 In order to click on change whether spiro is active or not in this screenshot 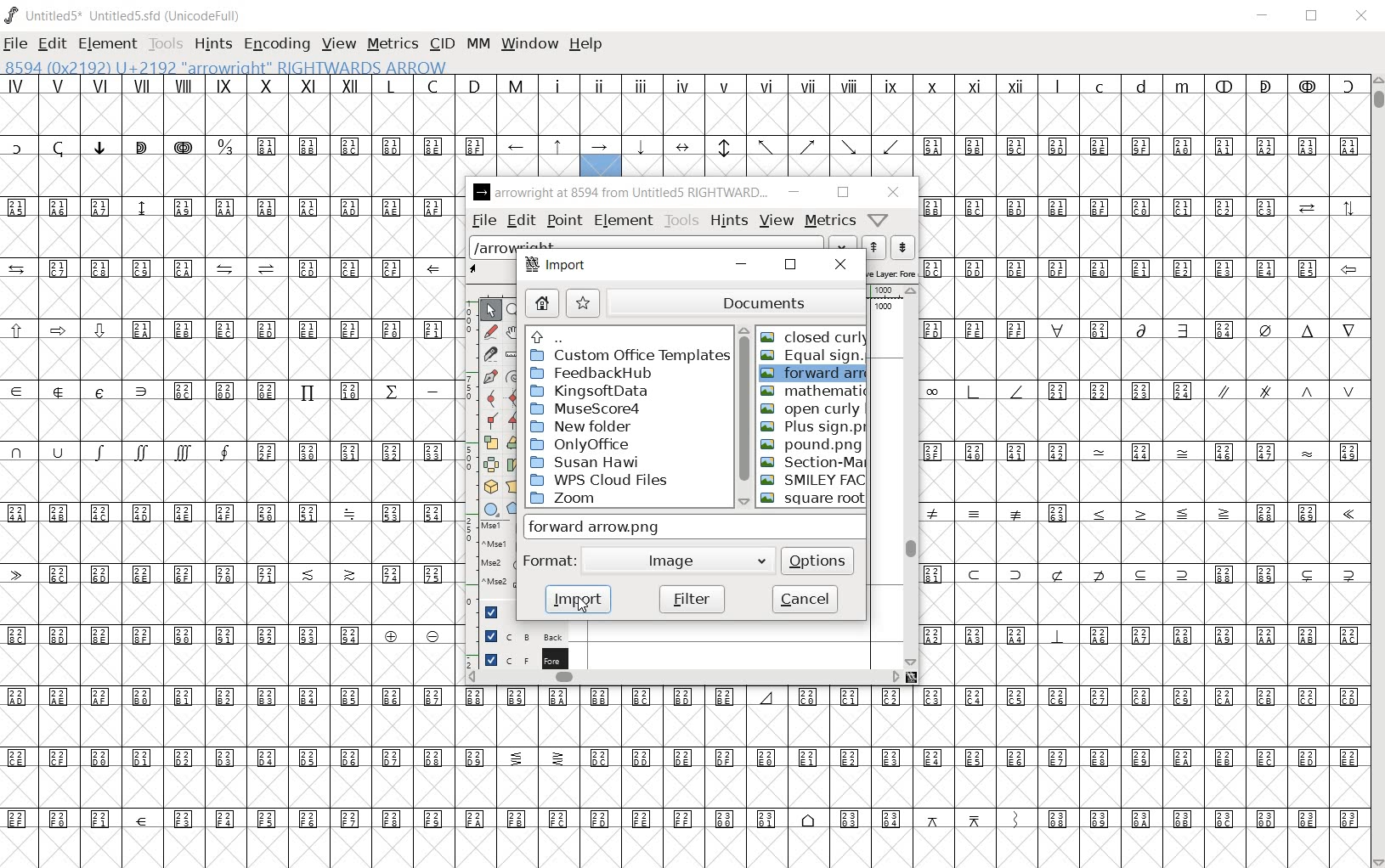, I will do `click(514, 375)`.